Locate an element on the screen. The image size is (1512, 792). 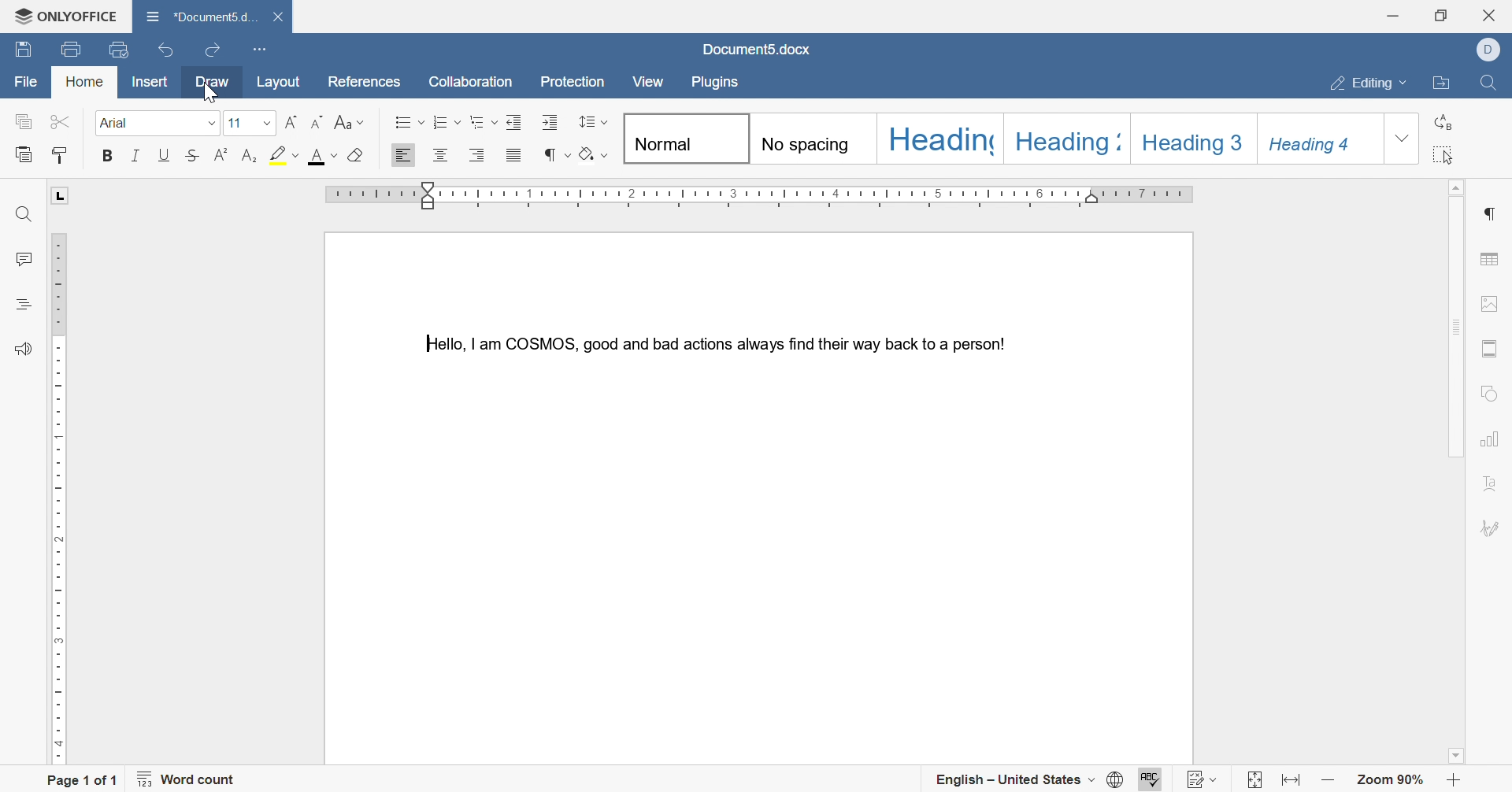
drop down is located at coordinates (1406, 139).